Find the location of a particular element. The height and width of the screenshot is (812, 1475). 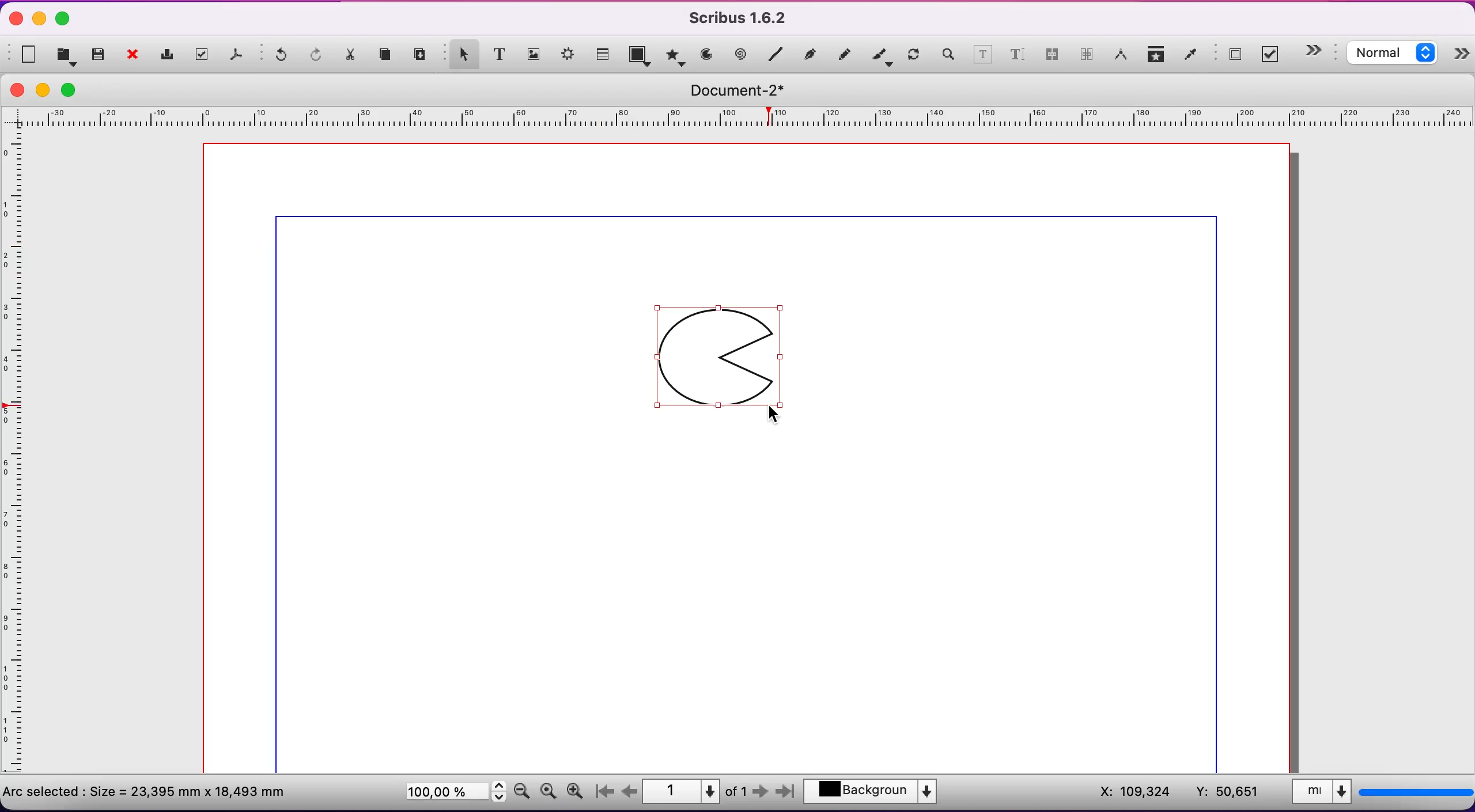

coordinates is located at coordinates (1175, 792).